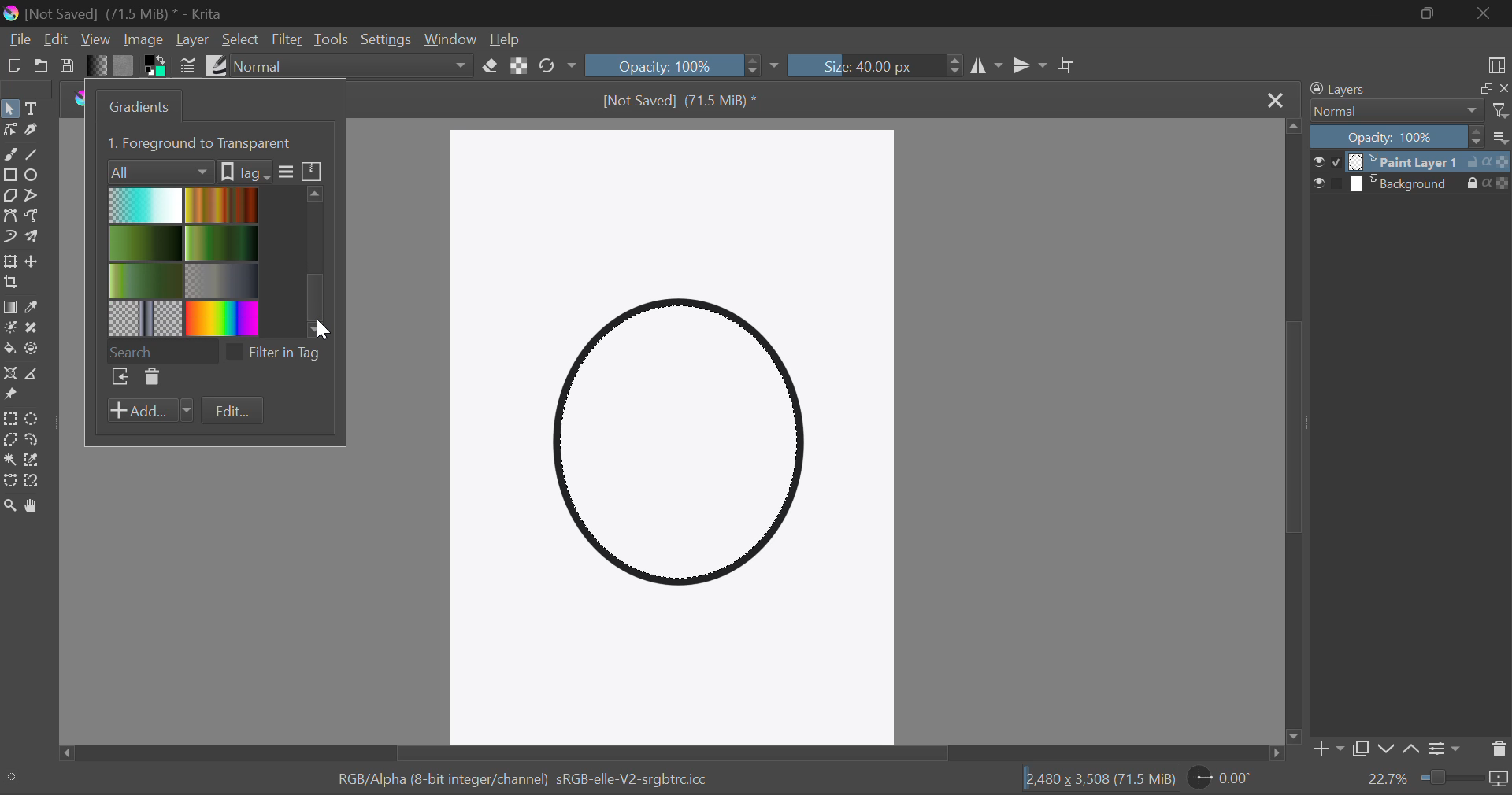  I want to click on Filter, so click(287, 39).